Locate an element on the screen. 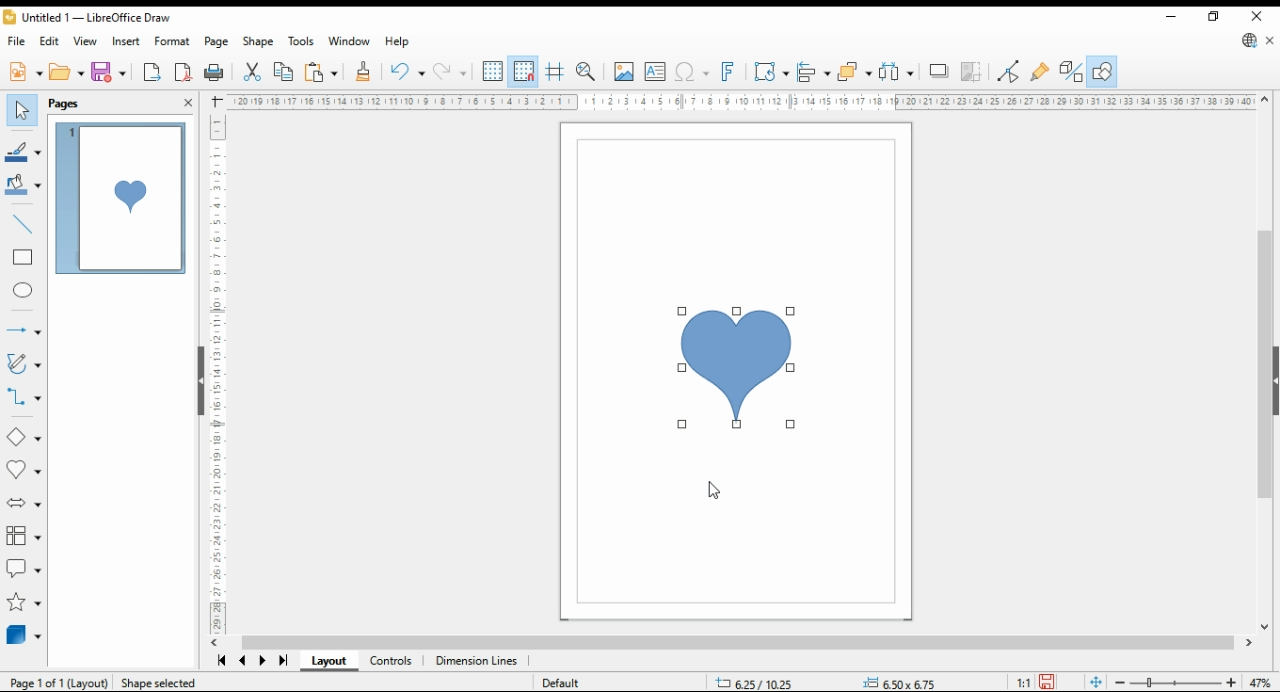 The height and width of the screenshot is (692, 1280). shape is located at coordinates (738, 369).